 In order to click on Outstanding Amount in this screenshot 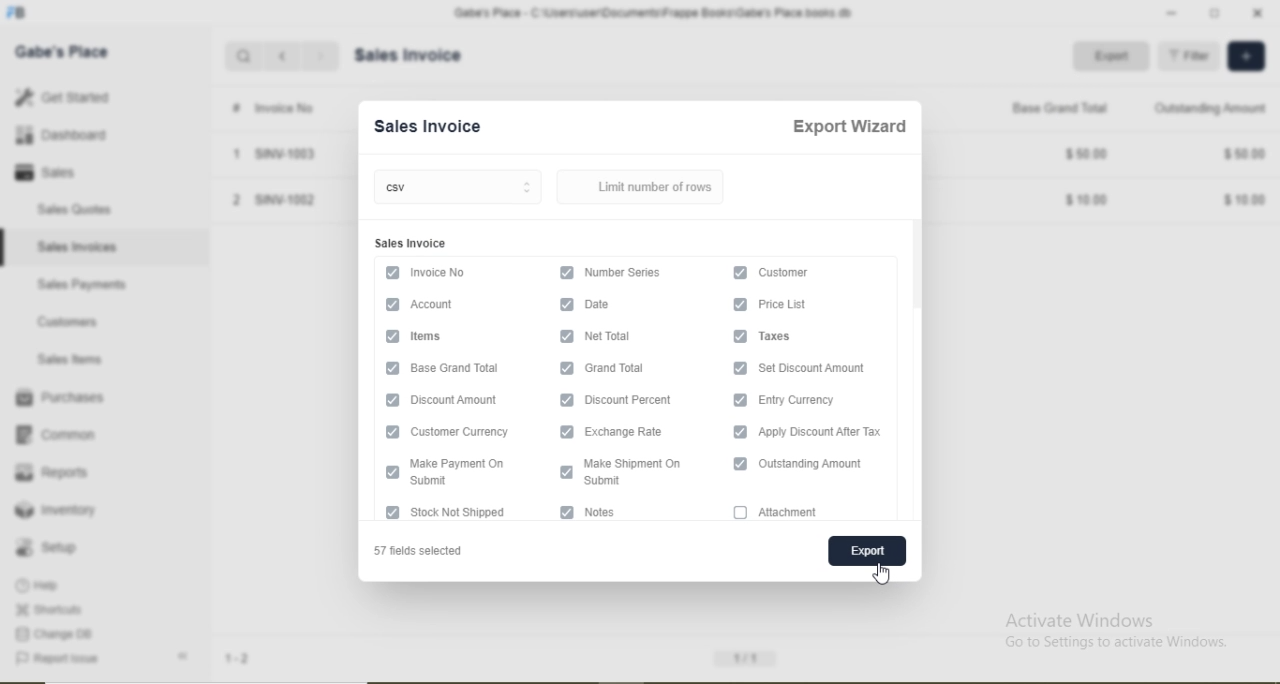, I will do `click(823, 465)`.